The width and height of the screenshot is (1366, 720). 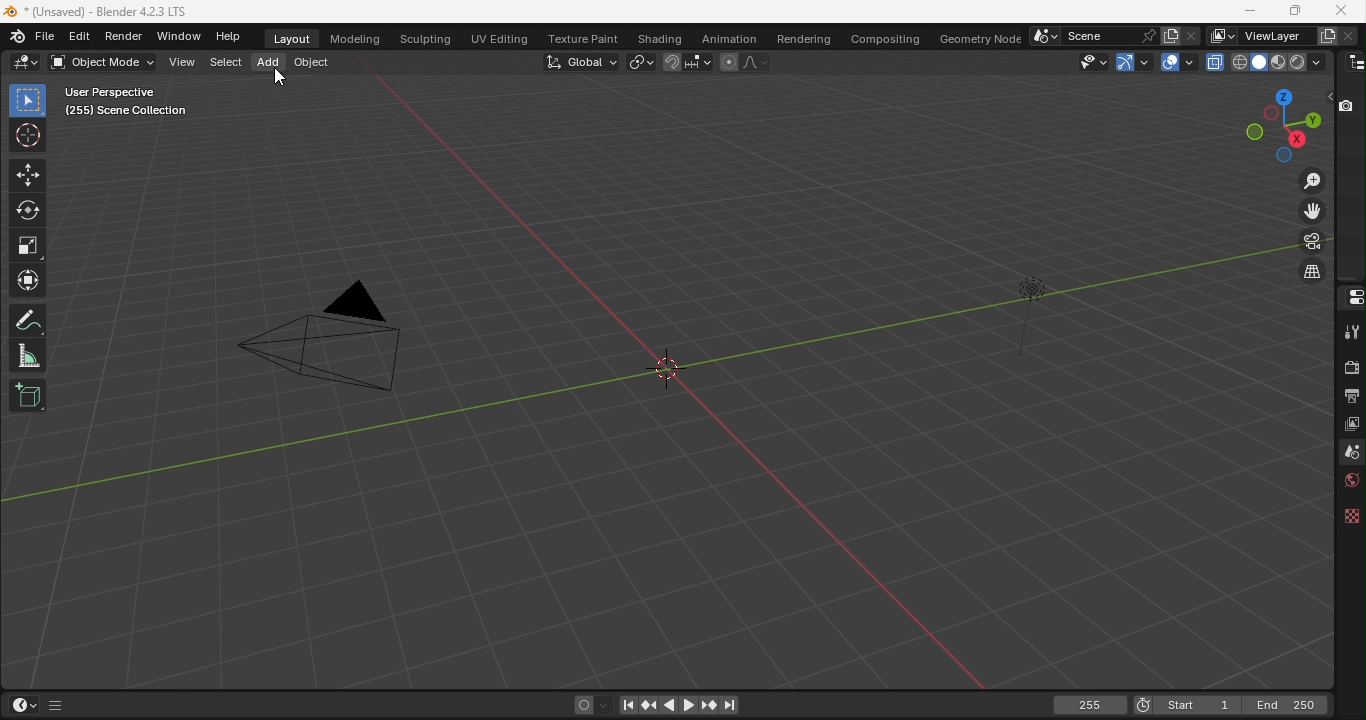 What do you see at coordinates (1125, 63) in the screenshot?
I see `Show Gizmo` at bounding box center [1125, 63].